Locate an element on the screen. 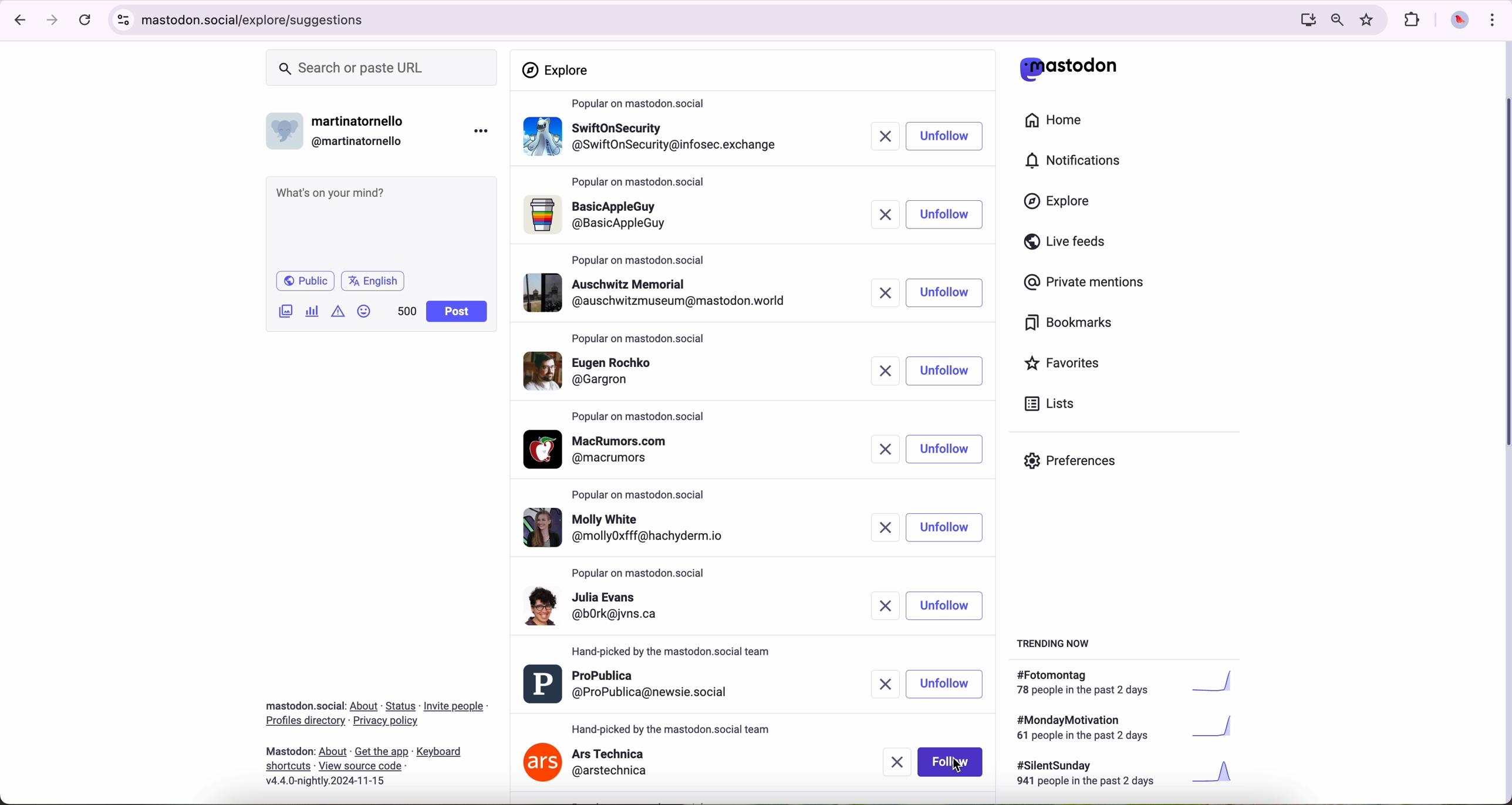  search or paste URL is located at coordinates (382, 68).